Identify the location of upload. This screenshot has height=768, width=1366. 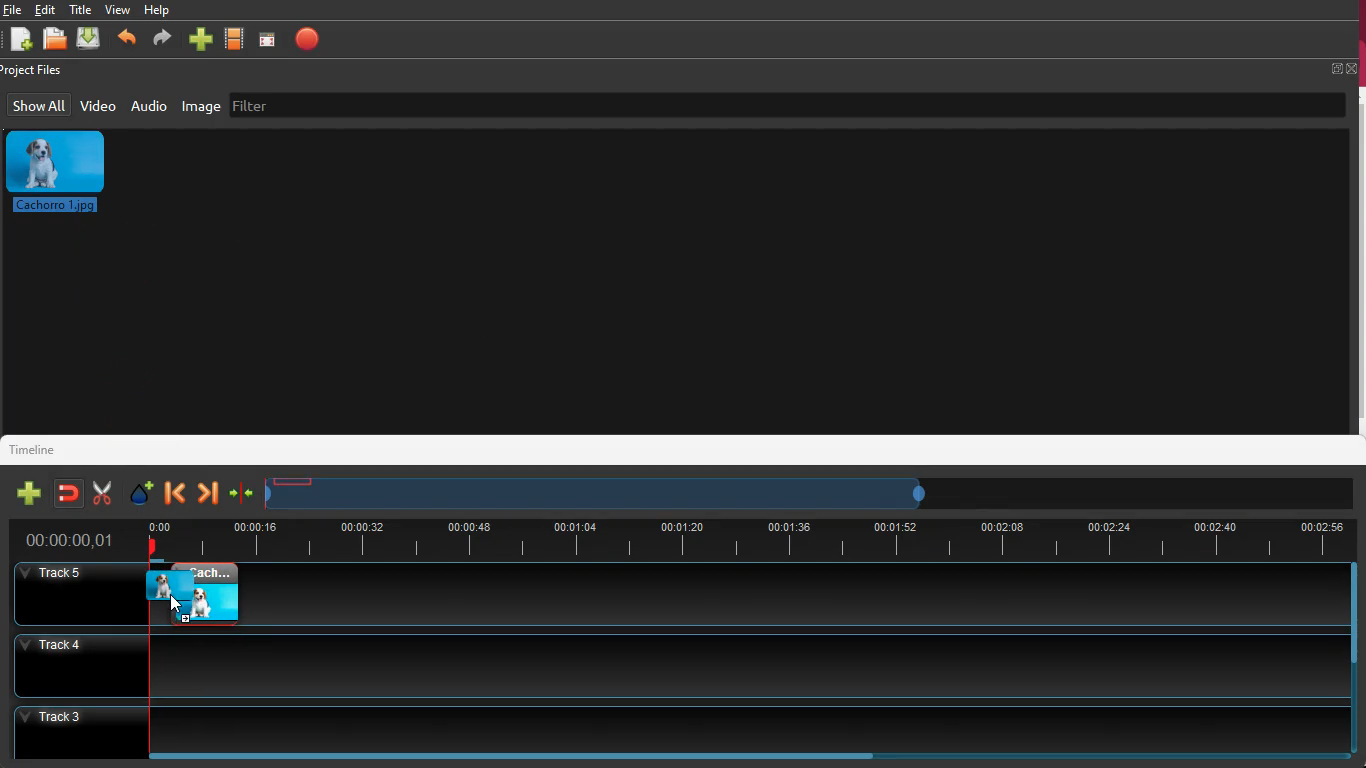
(90, 39).